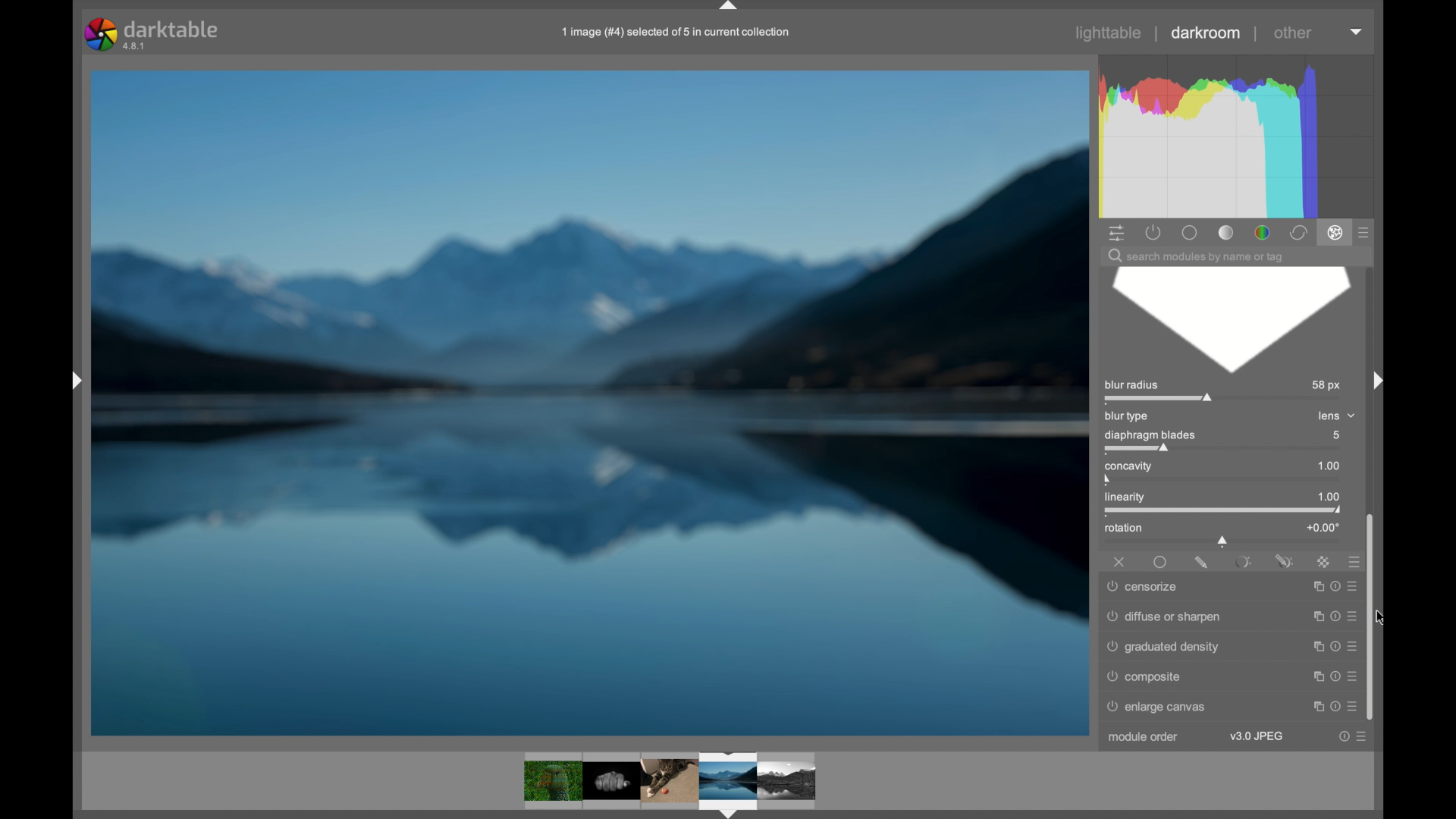 The width and height of the screenshot is (1456, 819). What do you see at coordinates (1144, 587) in the screenshot?
I see `censorize` at bounding box center [1144, 587].